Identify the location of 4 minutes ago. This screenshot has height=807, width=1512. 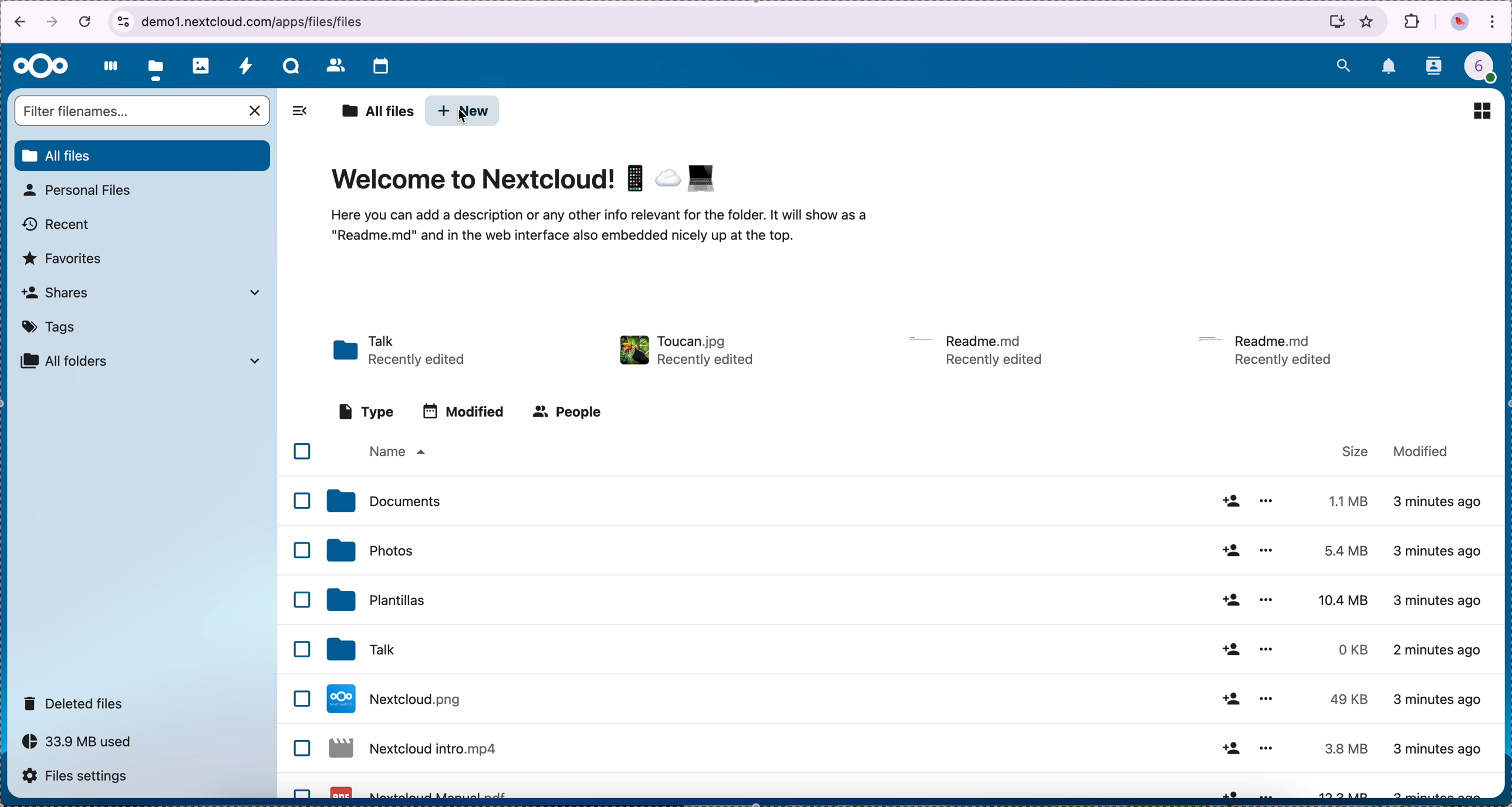
(1439, 598).